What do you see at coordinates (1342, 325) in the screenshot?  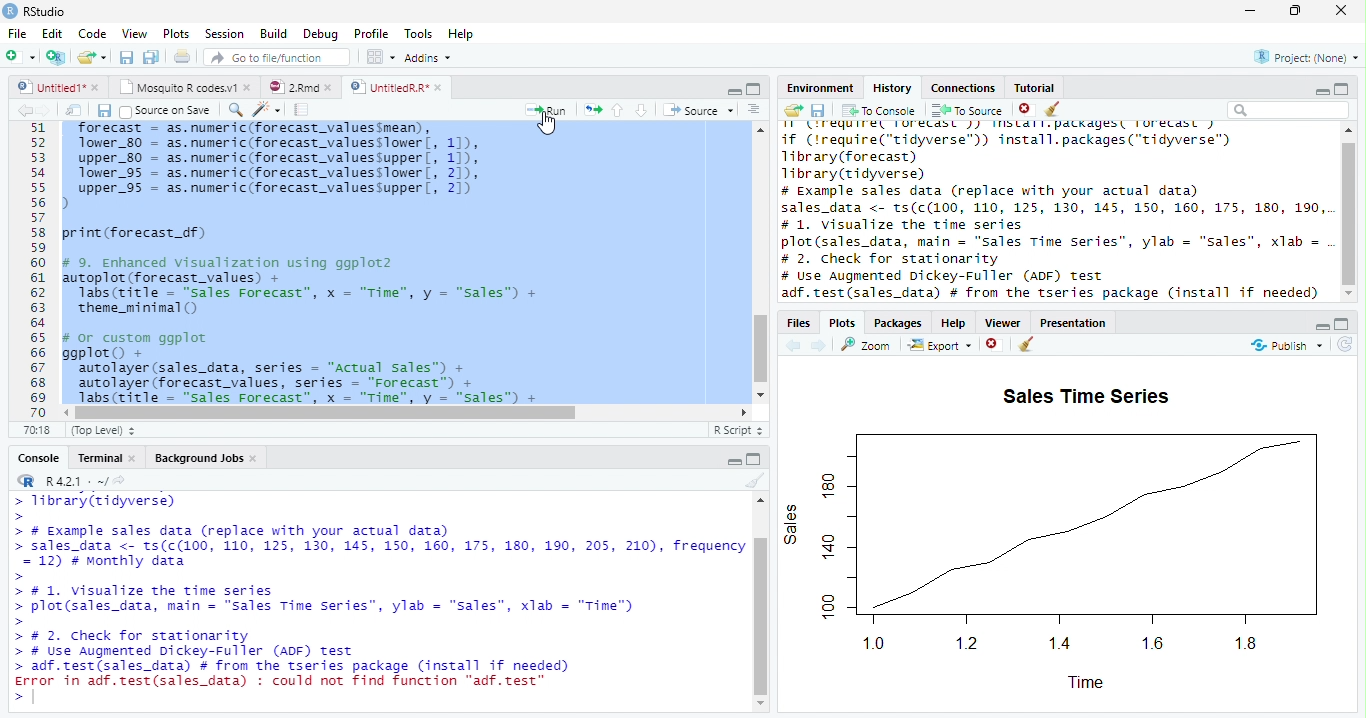 I see `Maximize` at bounding box center [1342, 325].